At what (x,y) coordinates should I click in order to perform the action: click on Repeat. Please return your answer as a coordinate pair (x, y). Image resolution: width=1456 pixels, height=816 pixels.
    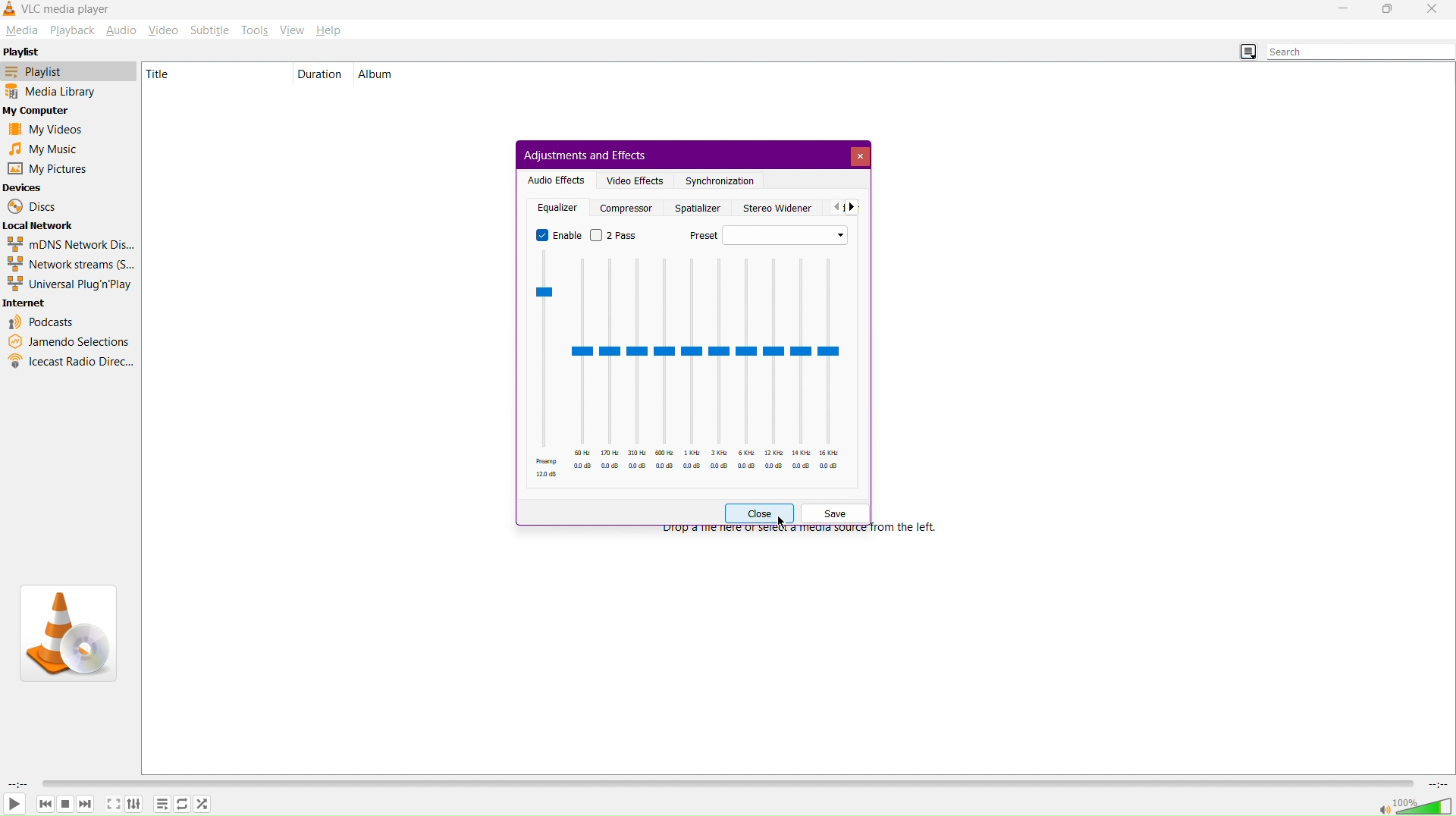
    Looking at the image, I should click on (182, 804).